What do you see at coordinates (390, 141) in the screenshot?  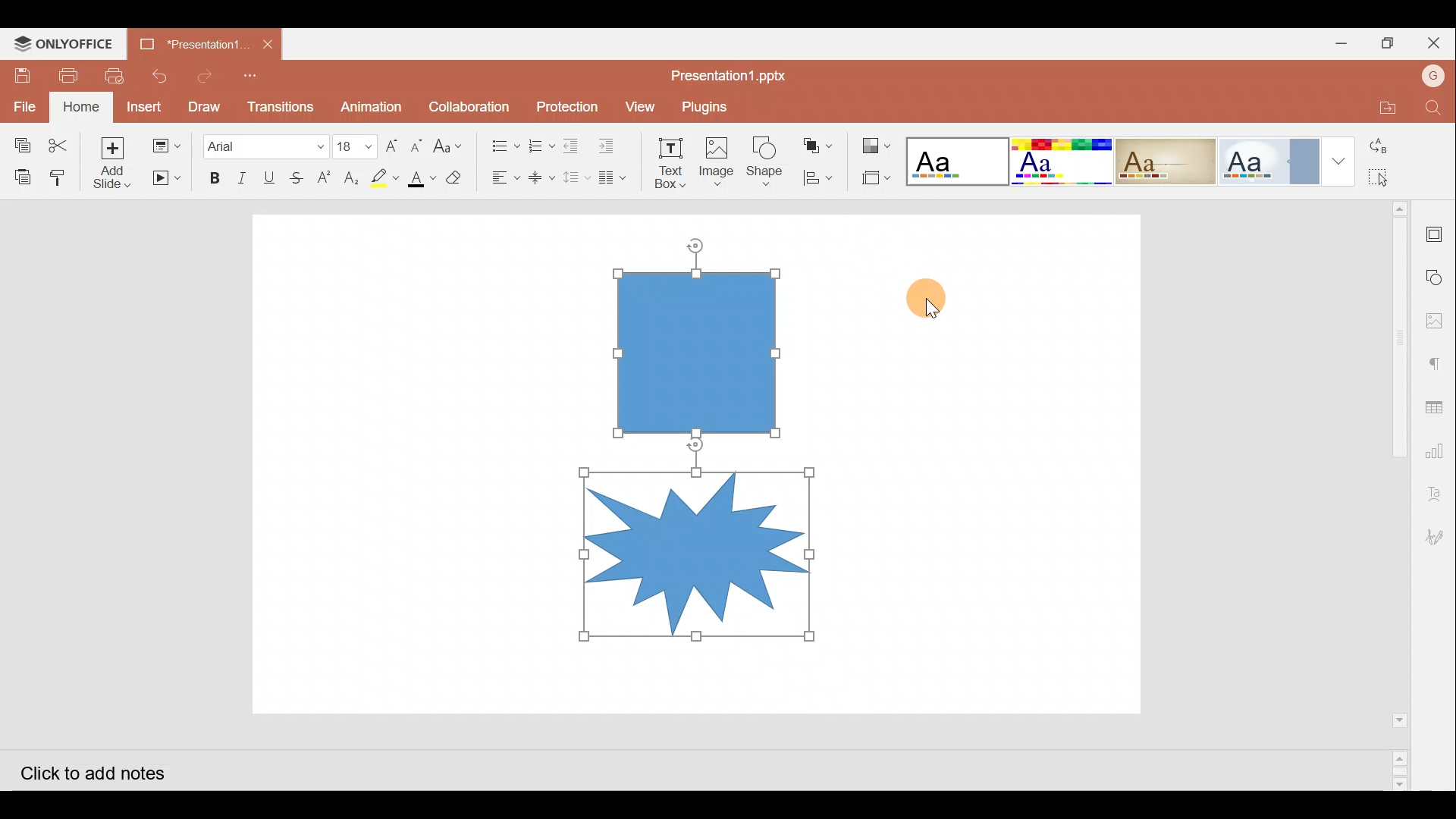 I see `Increase font size` at bounding box center [390, 141].